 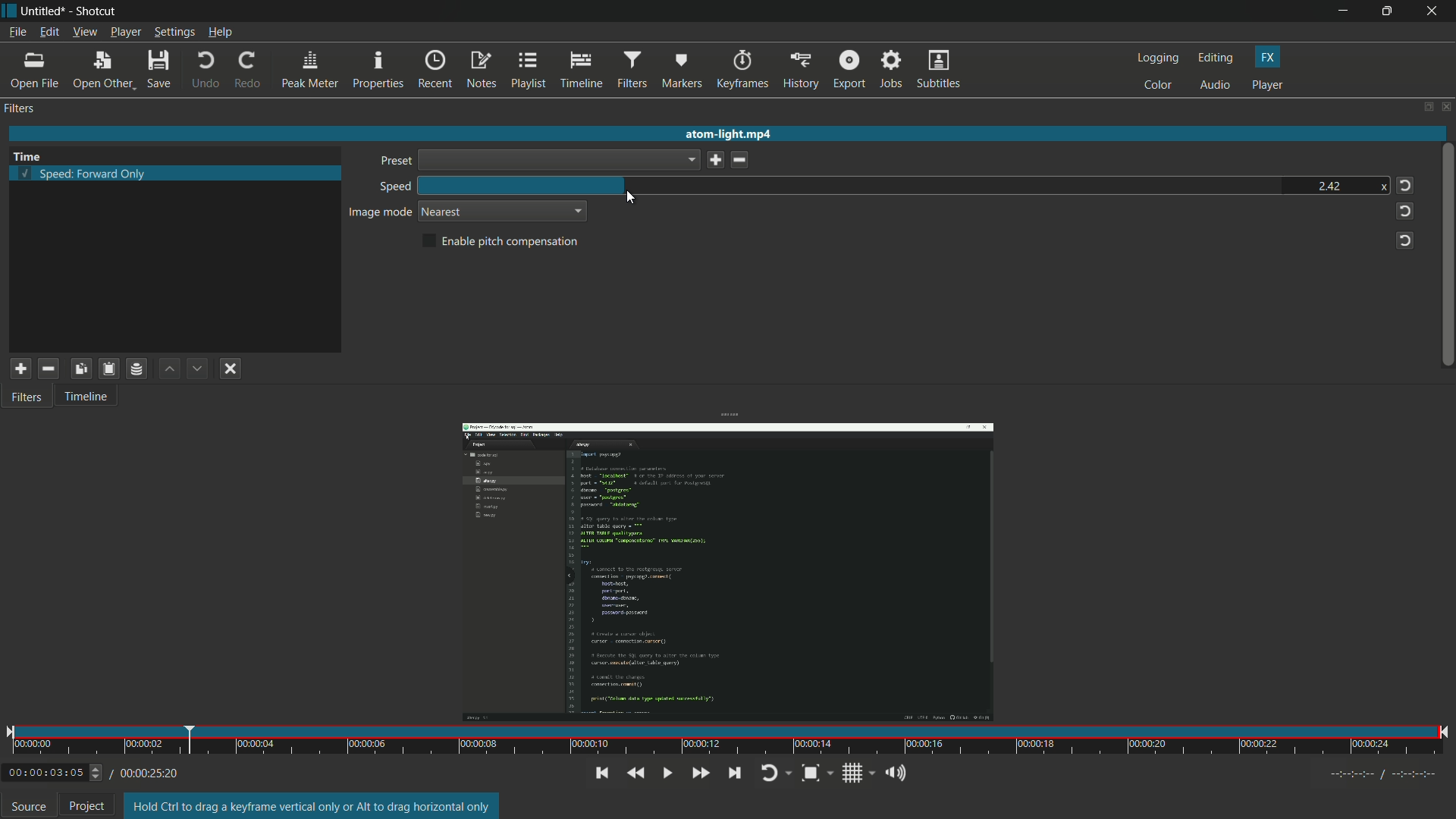 I want to click on quickly play backwards, so click(x=636, y=773).